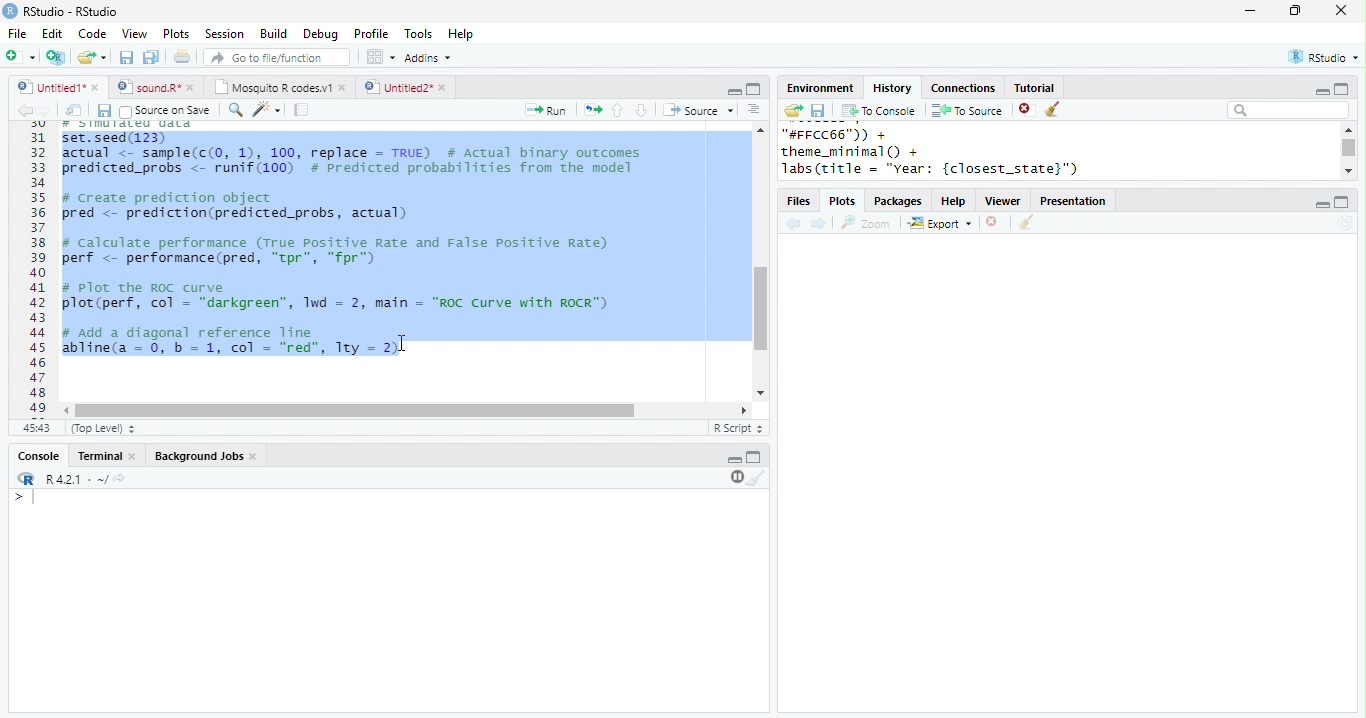 This screenshot has height=718, width=1366. I want to click on clear, so click(1054, 110).